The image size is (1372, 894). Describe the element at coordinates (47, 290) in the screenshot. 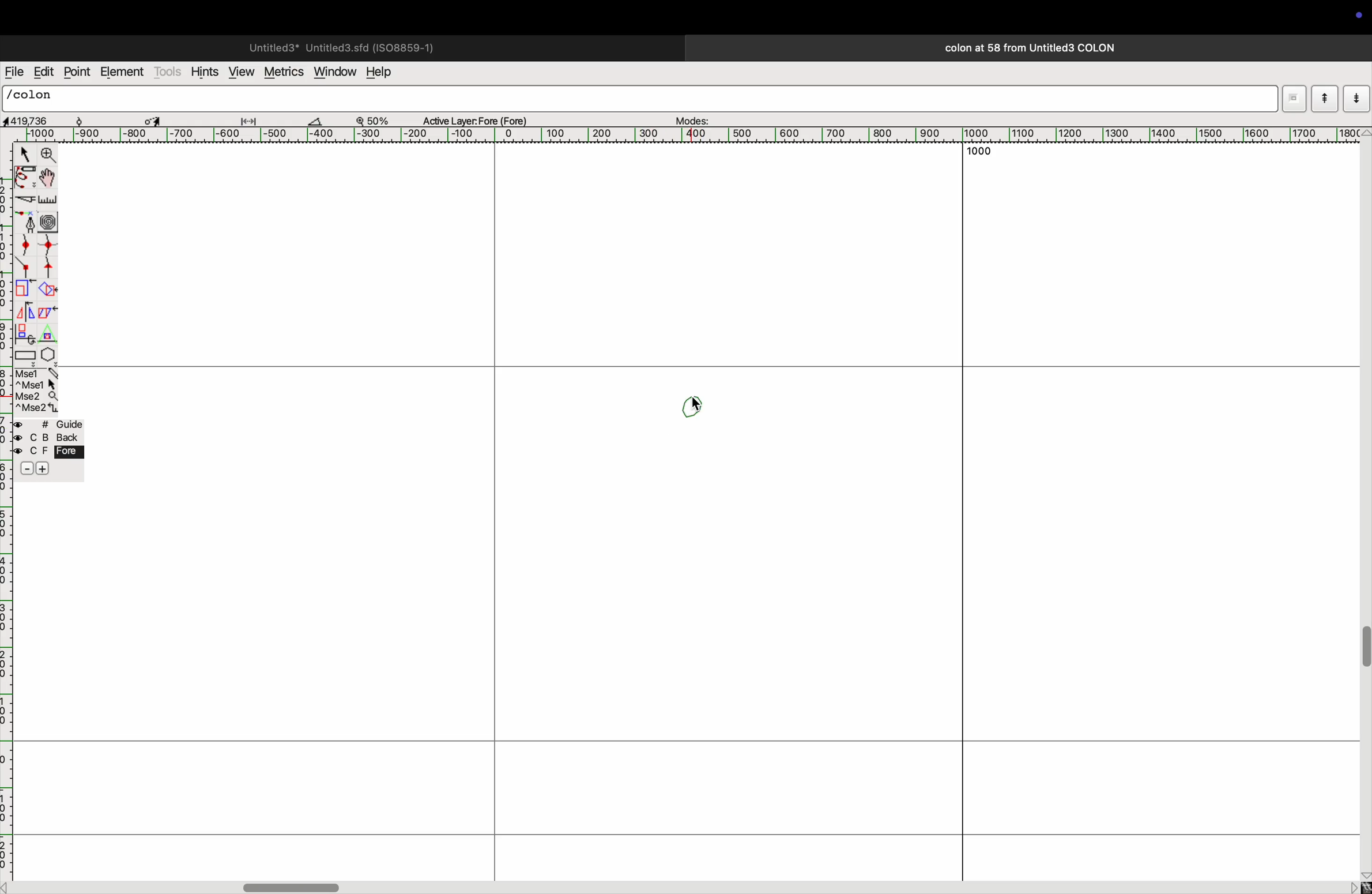

I see `extract` at that location.